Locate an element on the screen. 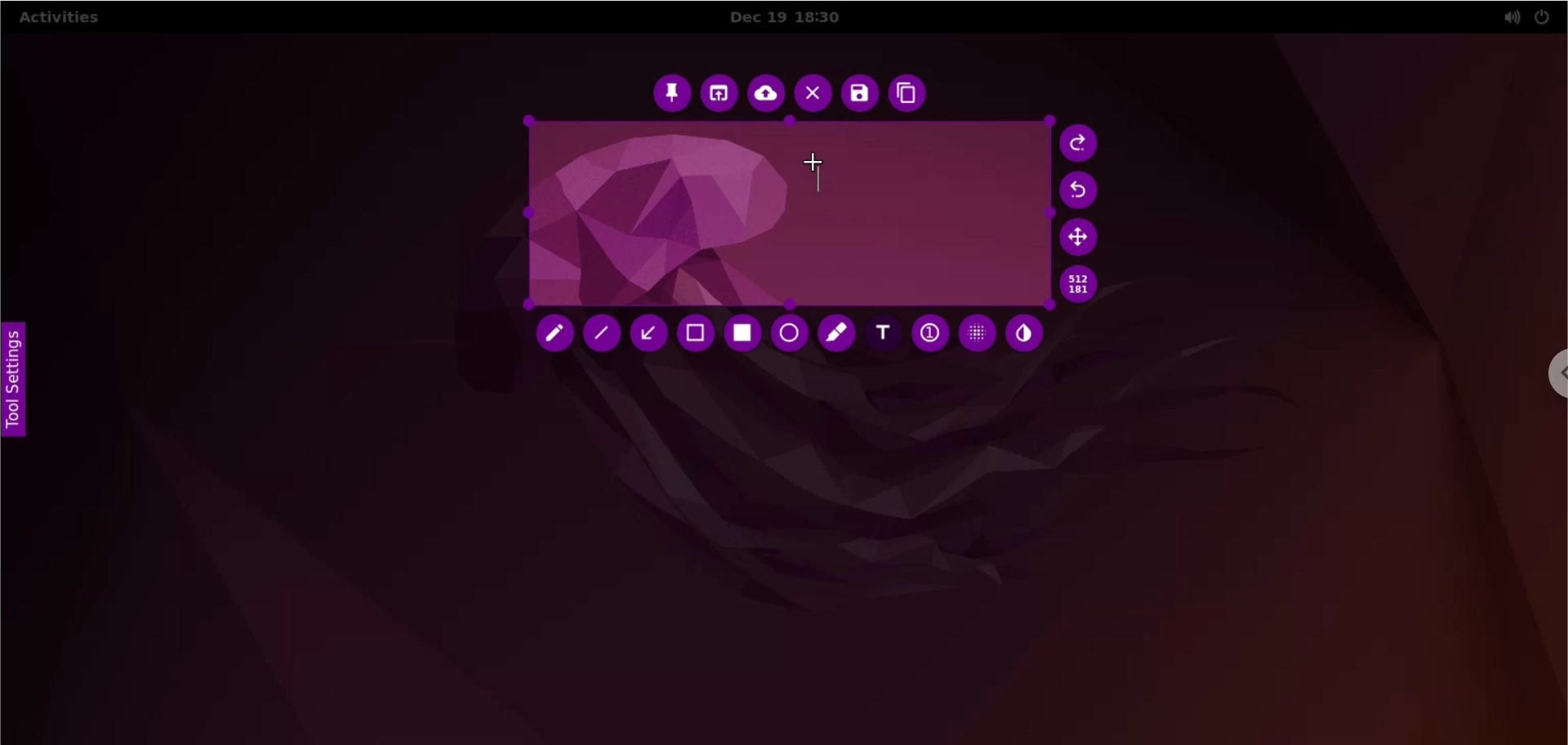 The image size is (1568, 745). inverter tool is located at coordinates (1028, 332).